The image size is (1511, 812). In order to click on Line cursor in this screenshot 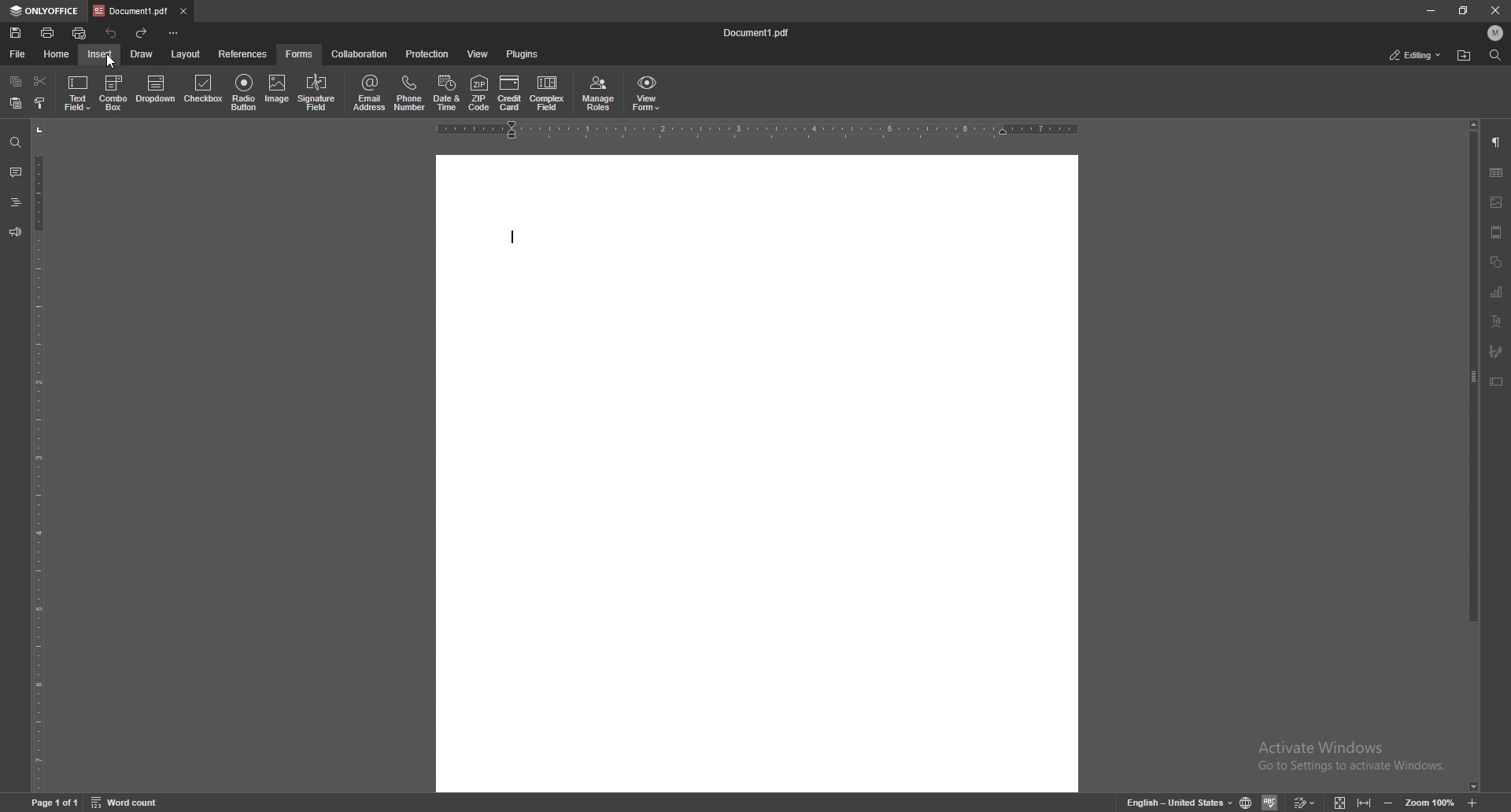, I will do `click(515, 237)`.